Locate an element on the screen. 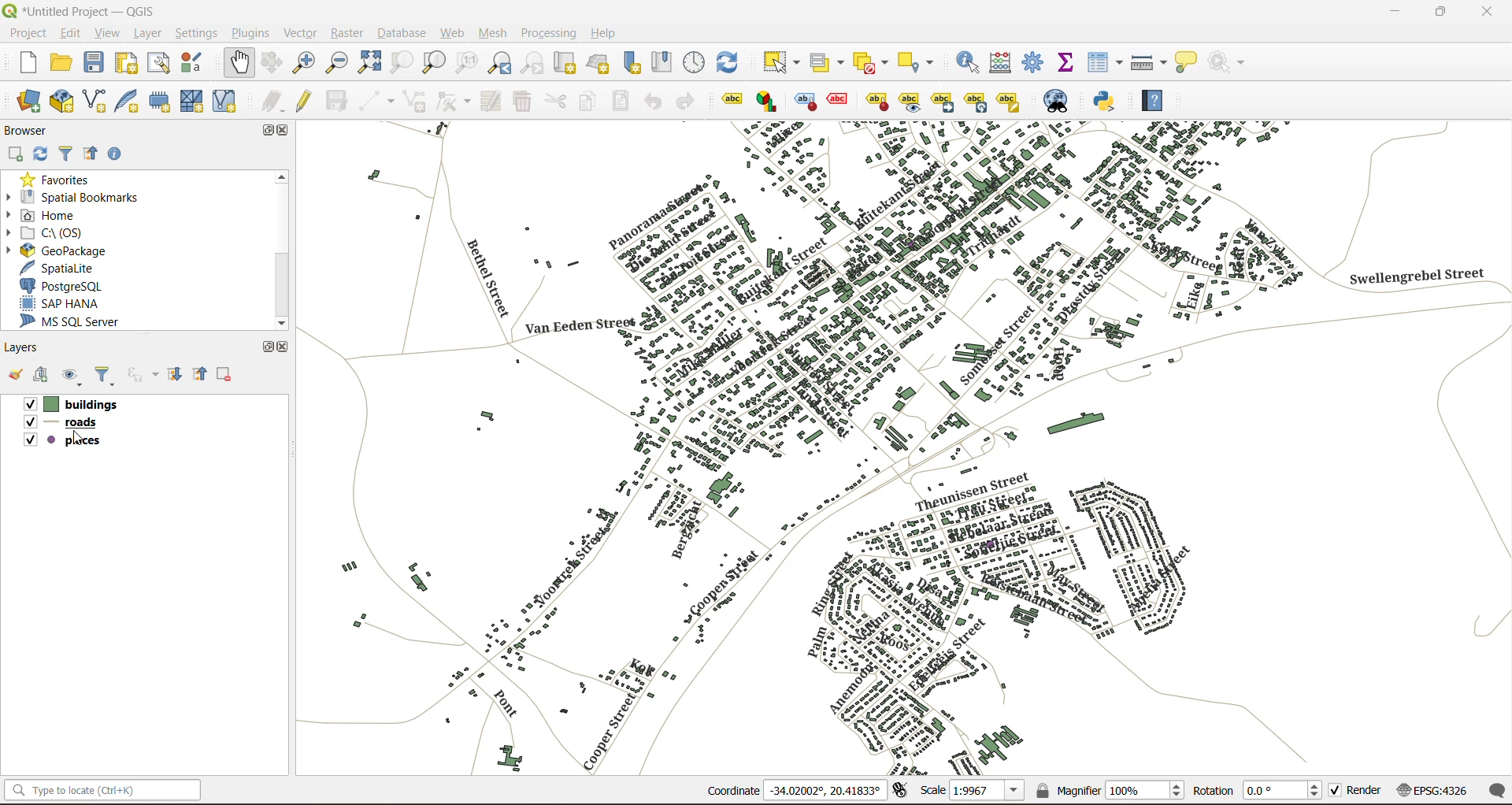 This screenshot has height=805, width=1512. c\:os is located at coordinates (57, 234).